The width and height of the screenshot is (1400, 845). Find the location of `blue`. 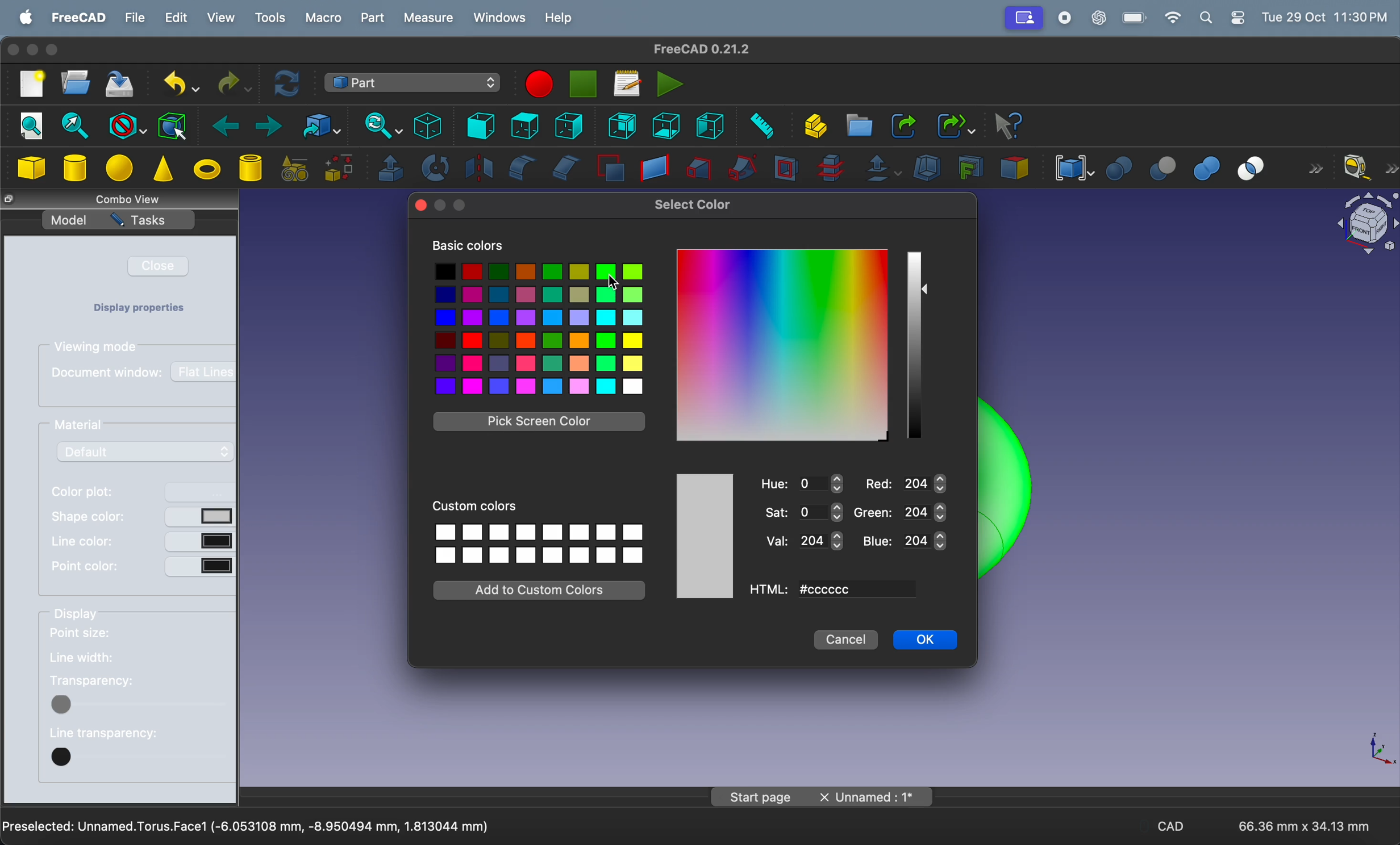

blue is located at coordinates (904, 541).